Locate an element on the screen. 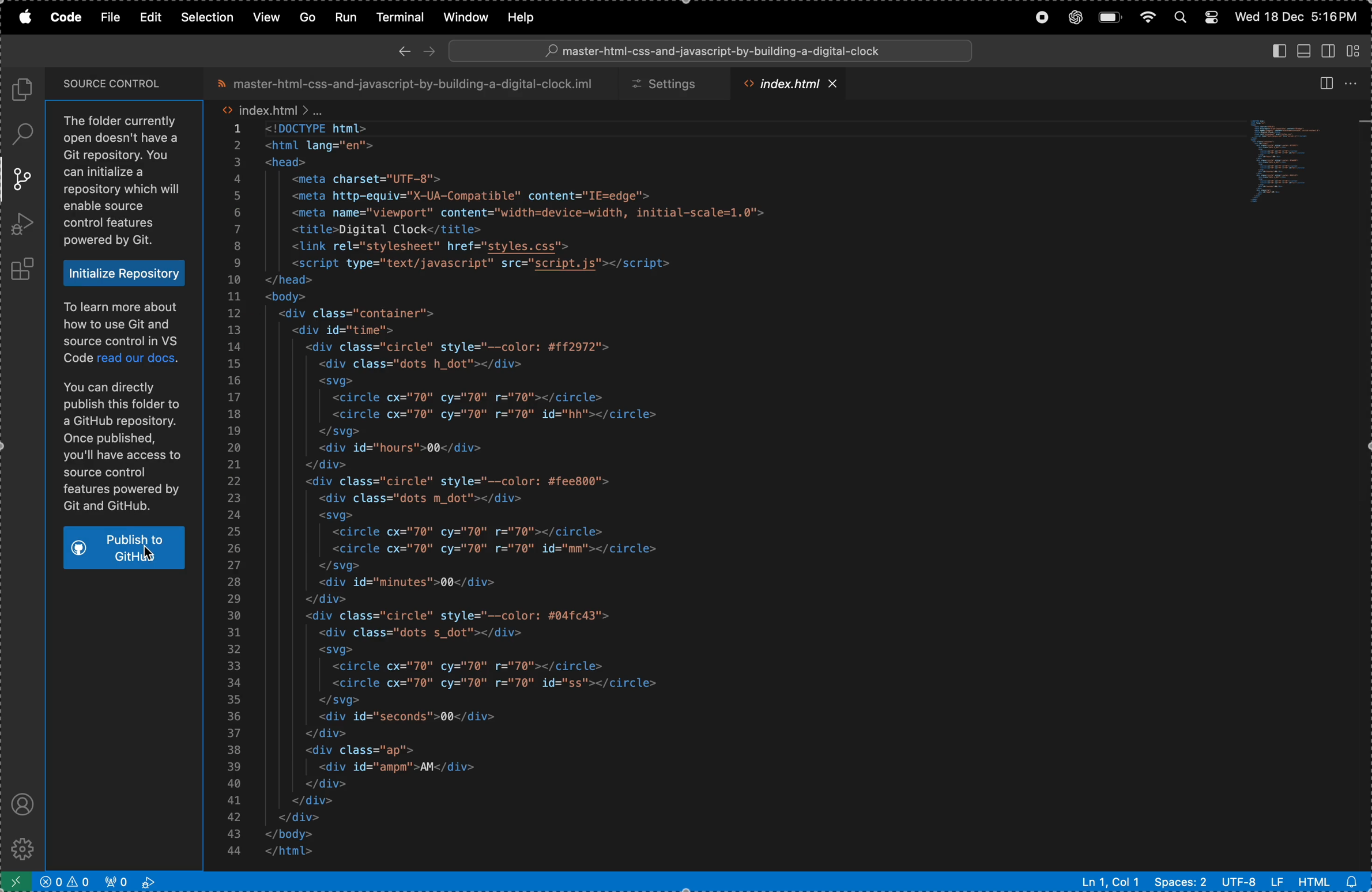 The image size is (1372, 892). </head> is located at coordinates (292, 281).